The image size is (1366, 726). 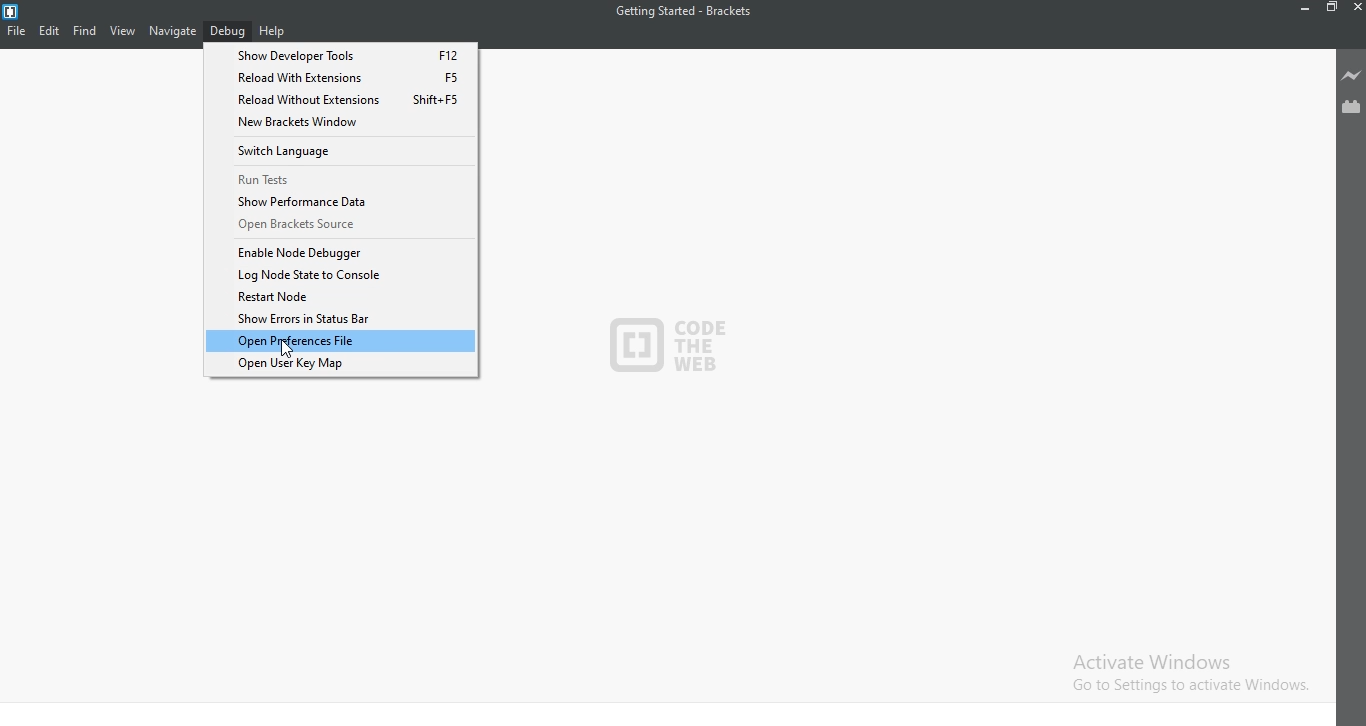 What do you see at coordinates (51, 30) in the screenshot?
I see `Edit` at bounding box center [51, 30].